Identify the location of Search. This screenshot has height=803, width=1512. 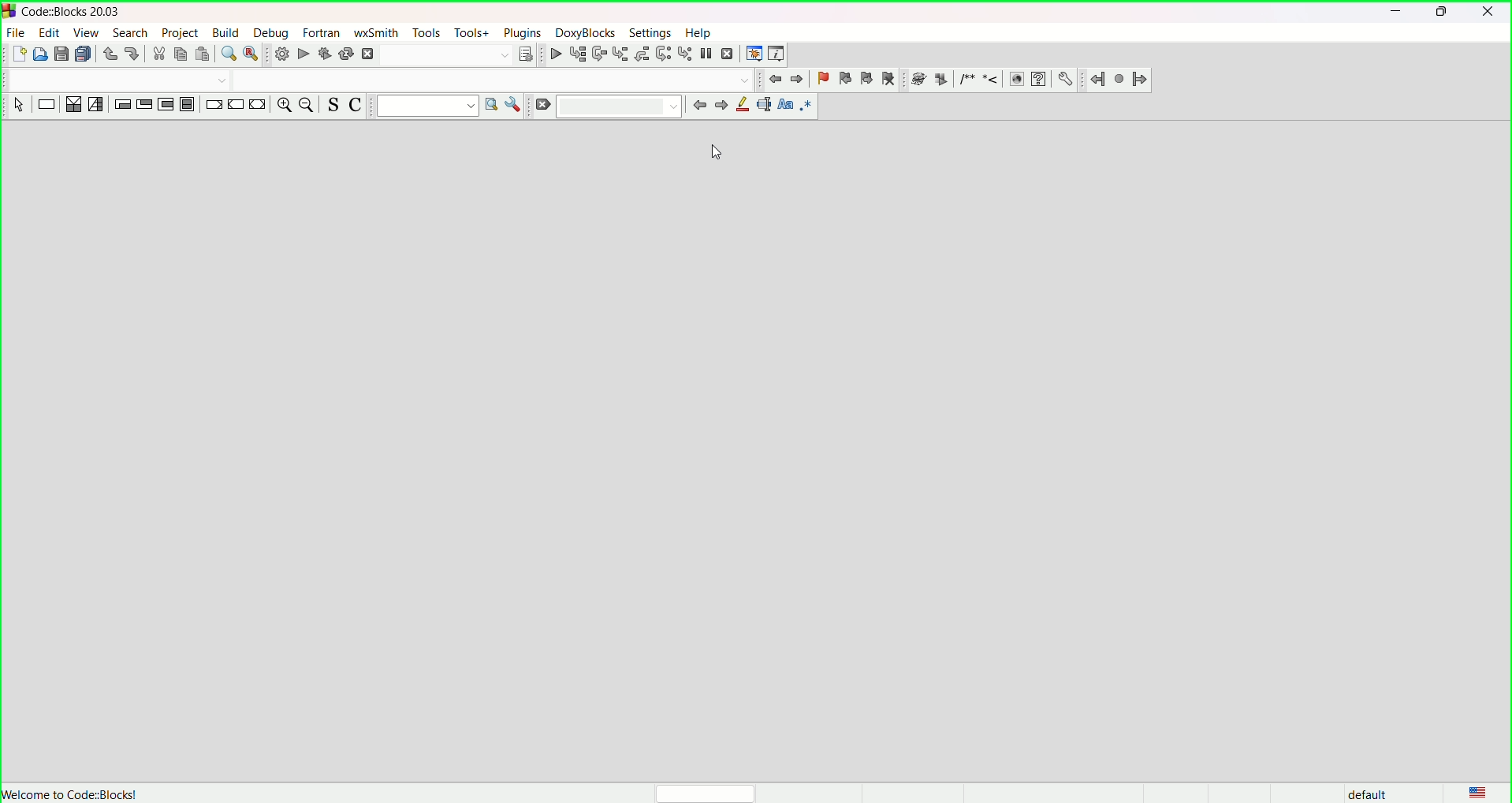
(443, 55).